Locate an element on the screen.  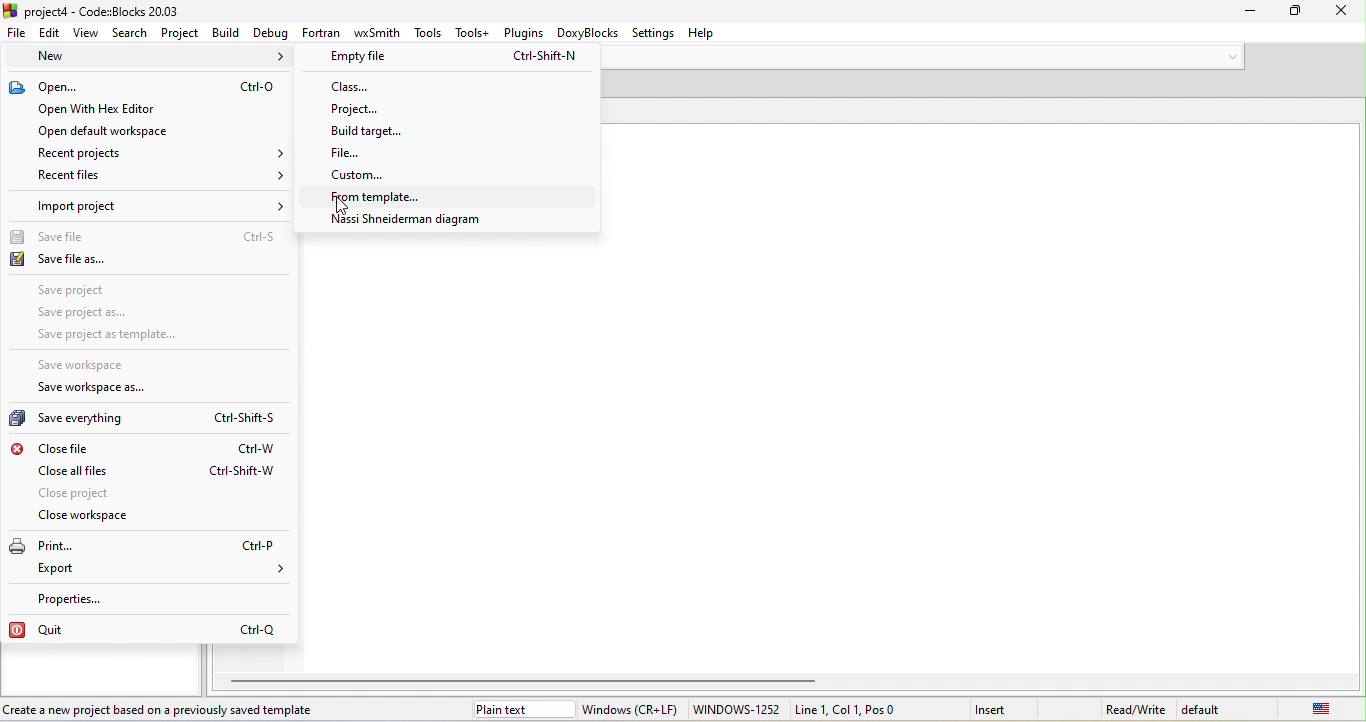
window is located at coordinates (631, 709).